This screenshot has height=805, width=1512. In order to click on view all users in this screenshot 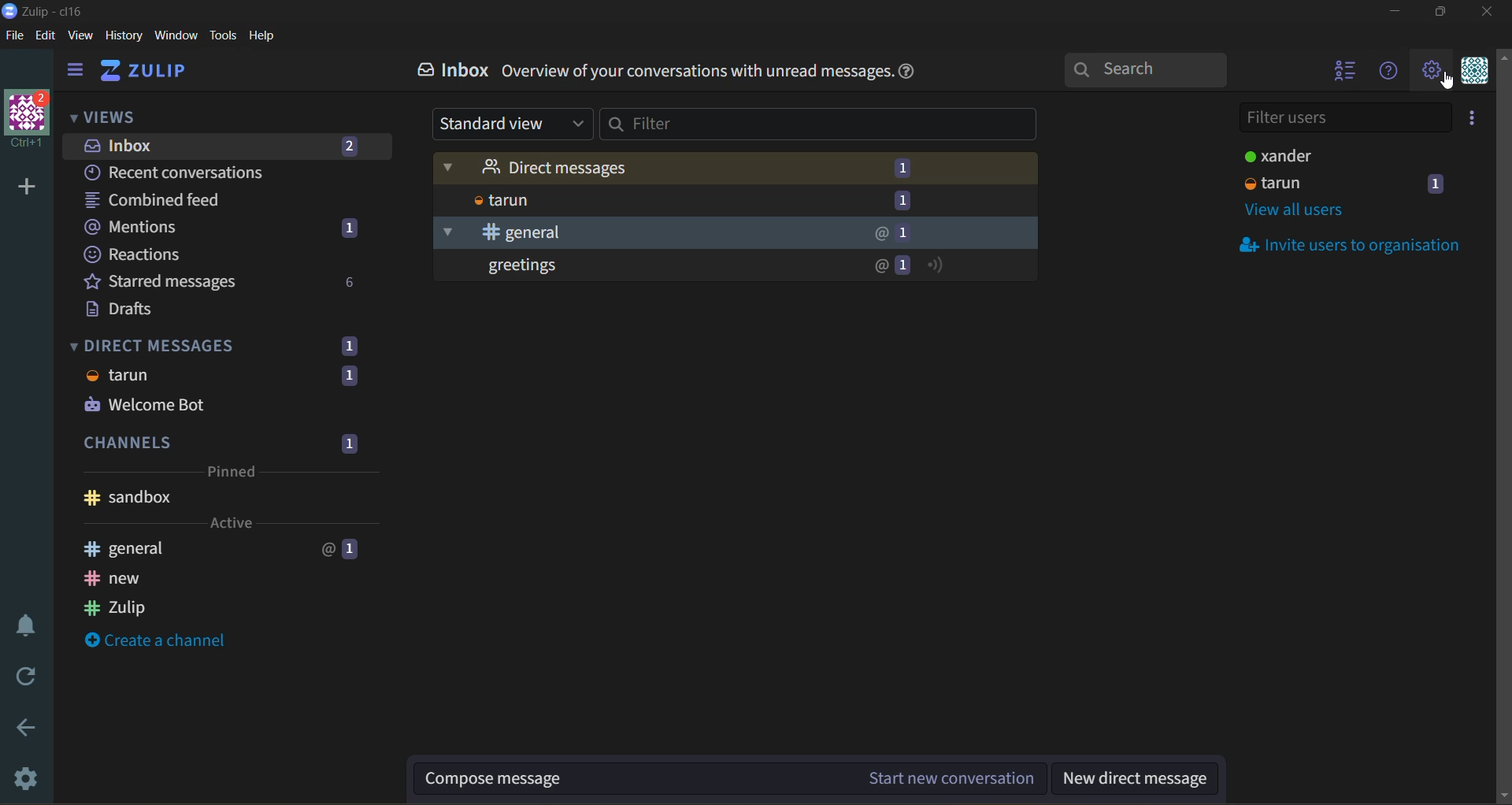, I will do `click(1297, 213)`.